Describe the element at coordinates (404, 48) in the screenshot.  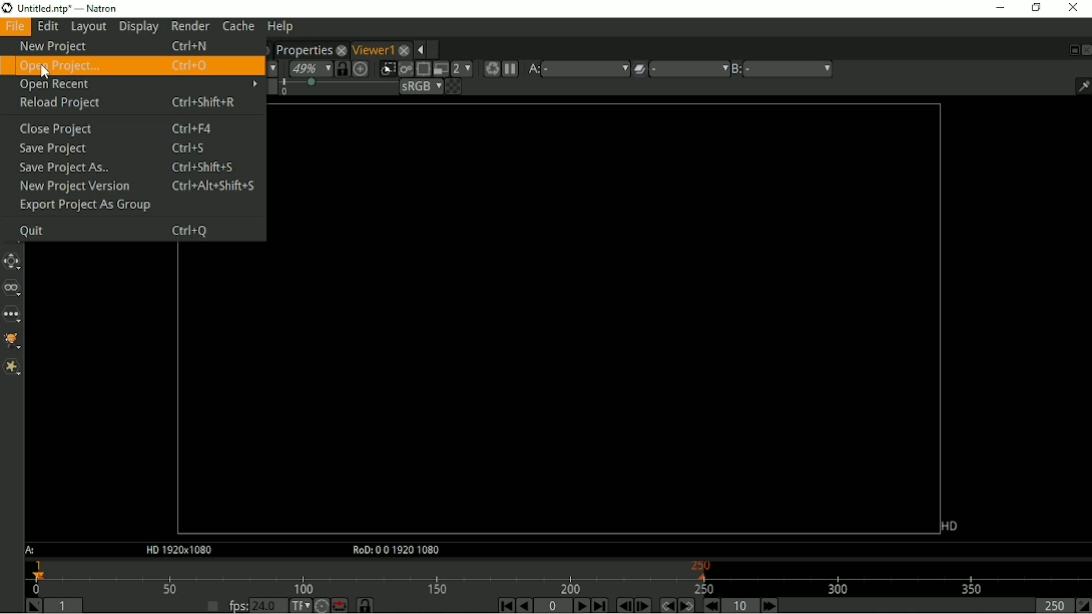
I see `close` at that location.